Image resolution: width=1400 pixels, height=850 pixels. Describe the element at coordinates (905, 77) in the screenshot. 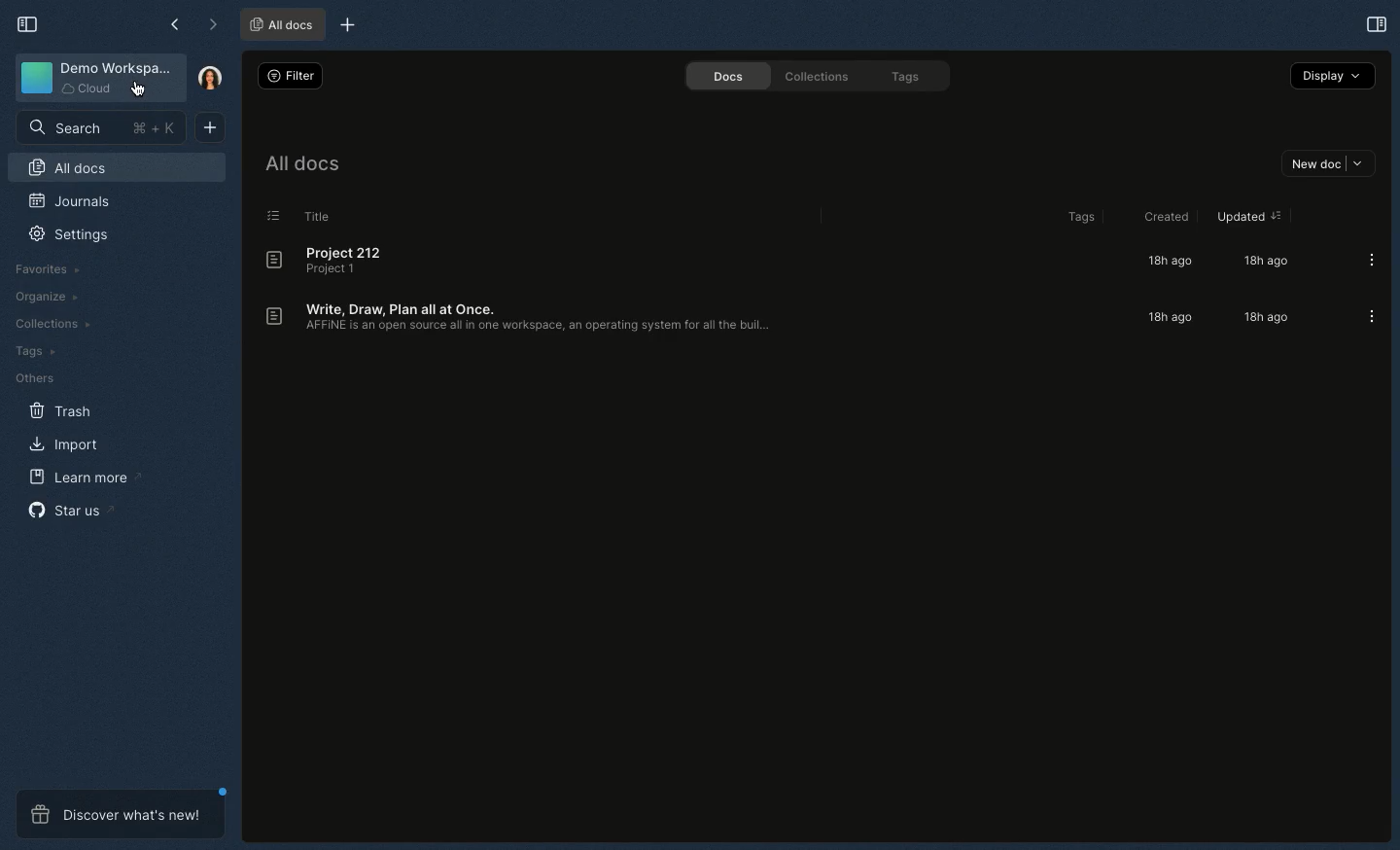

I see `Tags` at that location.